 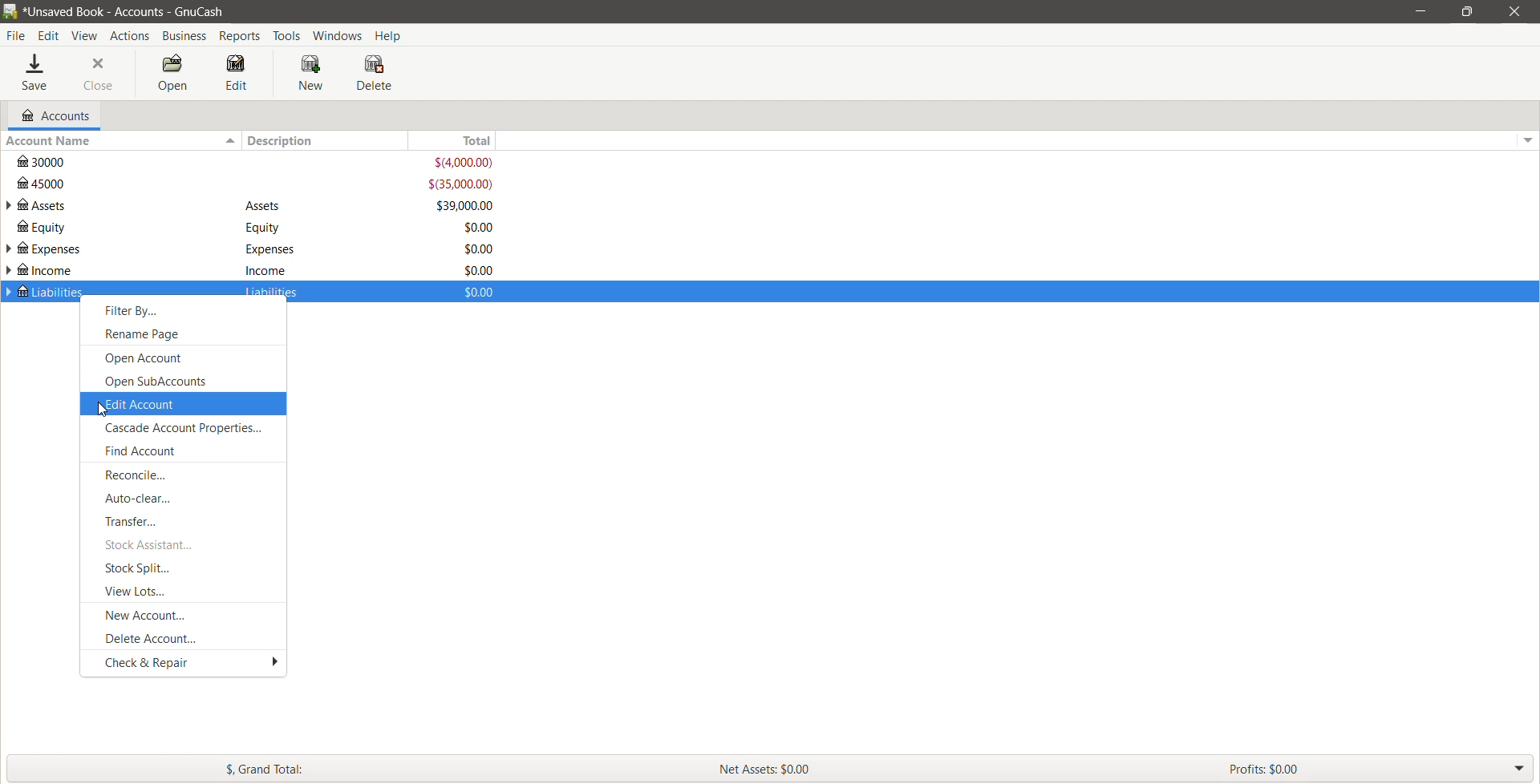 What do you see at coordinates (85, 36) in the screenshot?
I see `View` at bounding box center [85, 36].